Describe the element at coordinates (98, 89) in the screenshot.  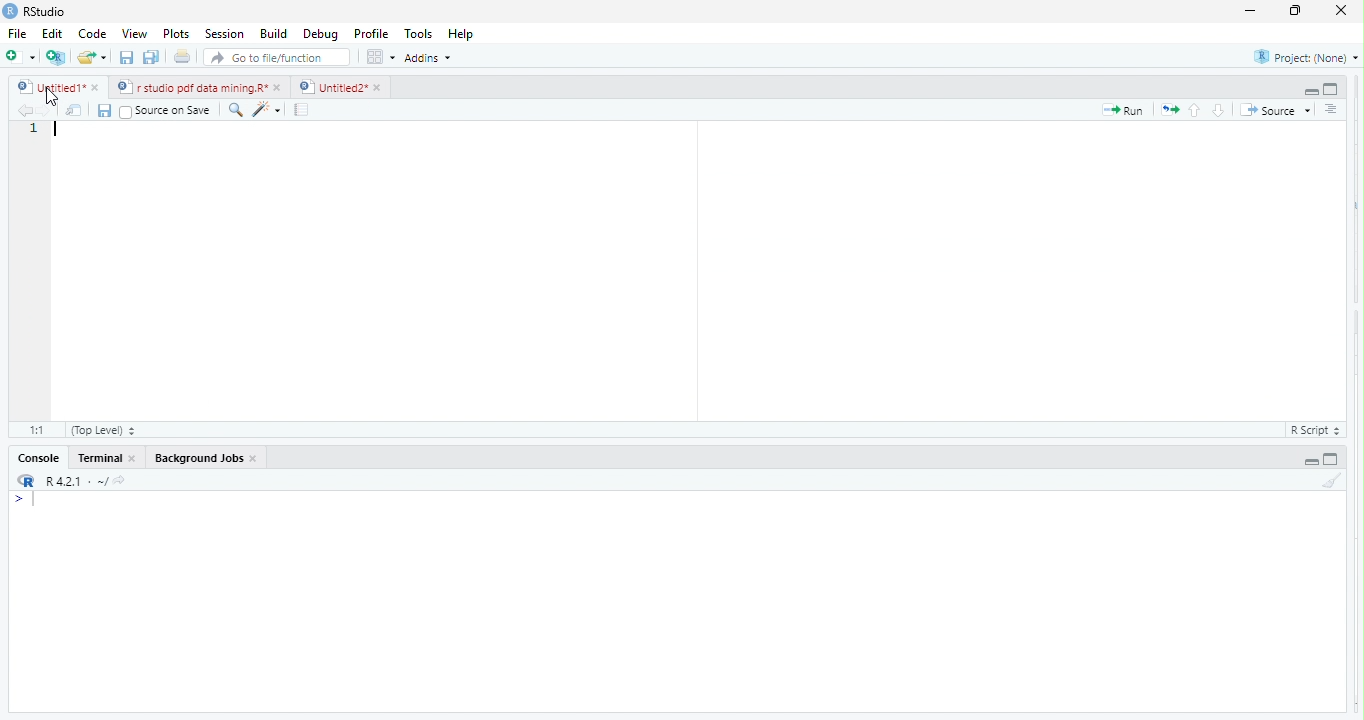
I see `close` at that location.